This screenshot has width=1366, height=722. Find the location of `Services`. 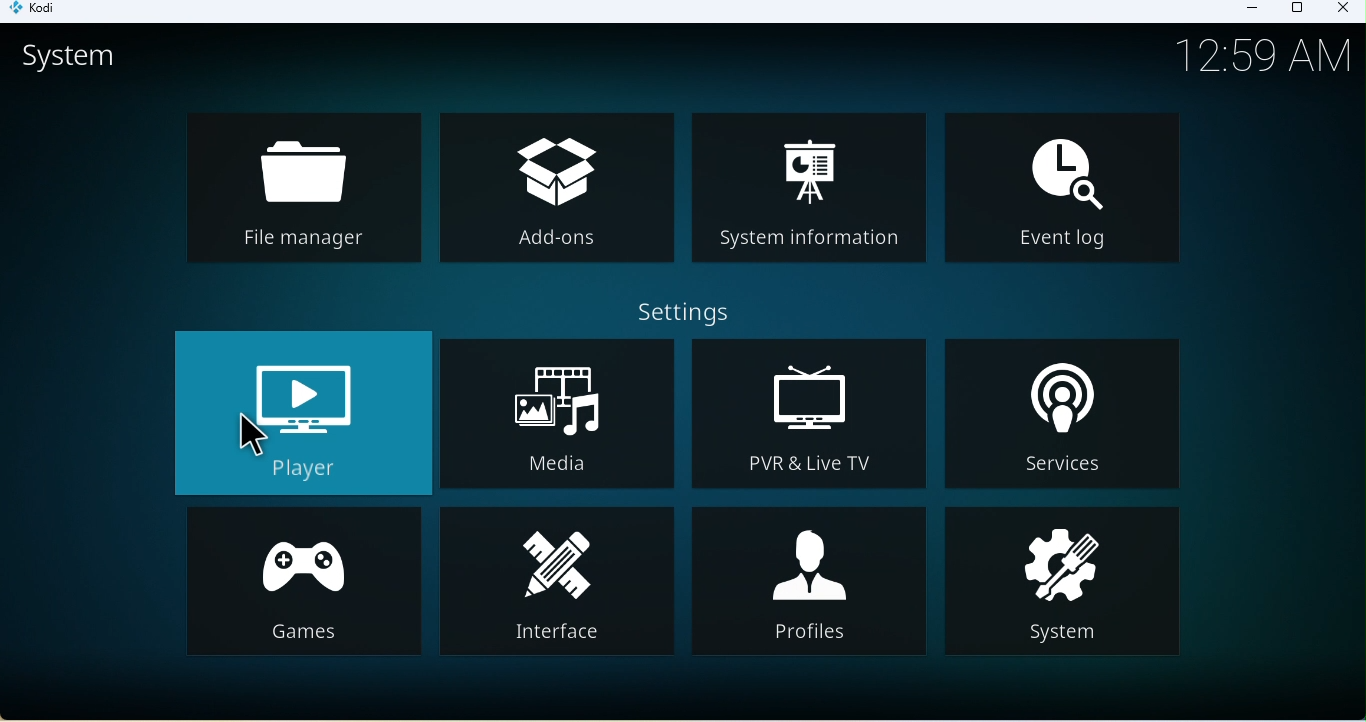

Services is located at coordinates (1073, 416).